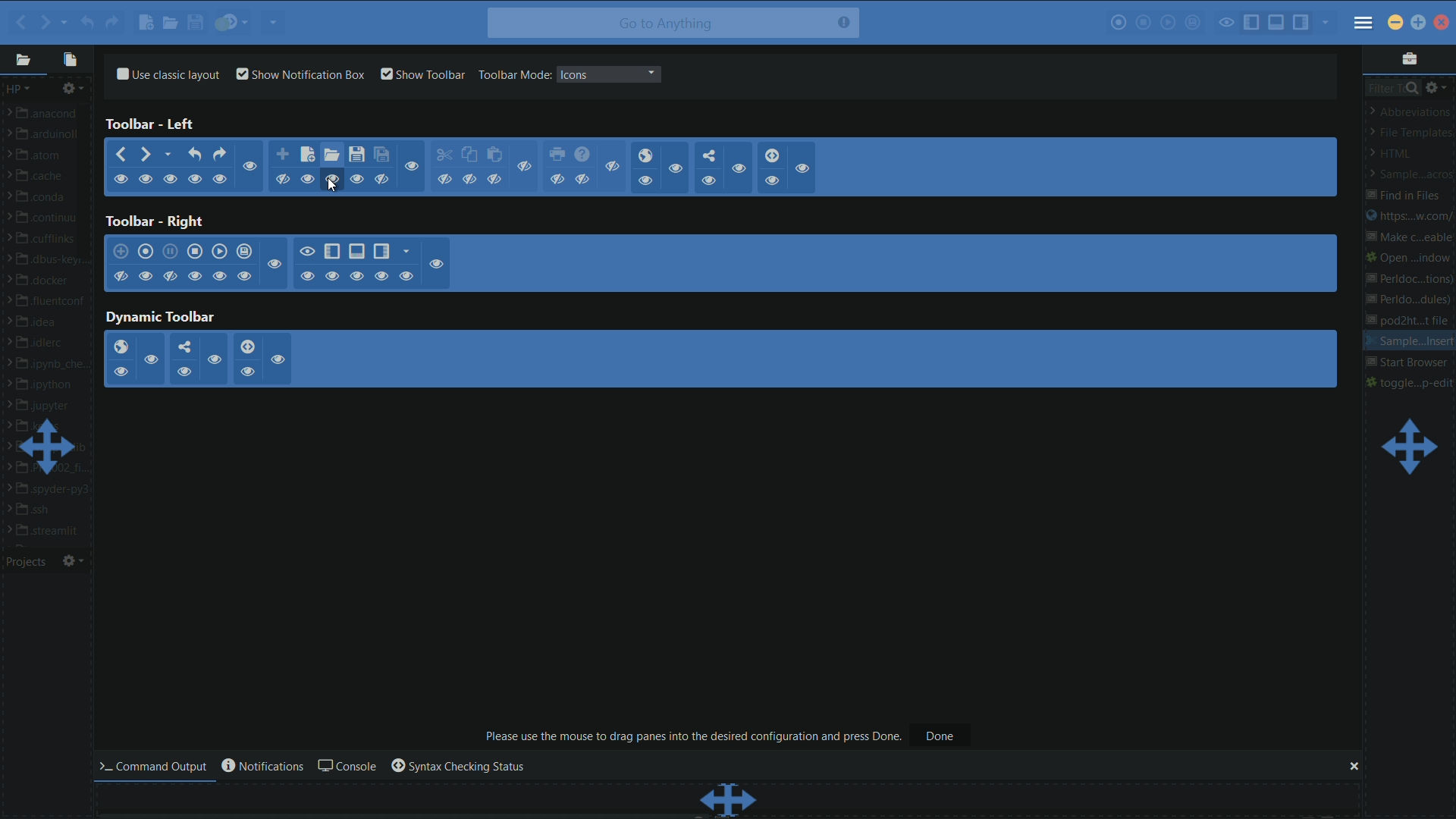 Image resolution: width=1456 pixels, height=819 pixels. Describe the element at coordinates (30, 563) in the screenshot. I see `Projects` at that location.